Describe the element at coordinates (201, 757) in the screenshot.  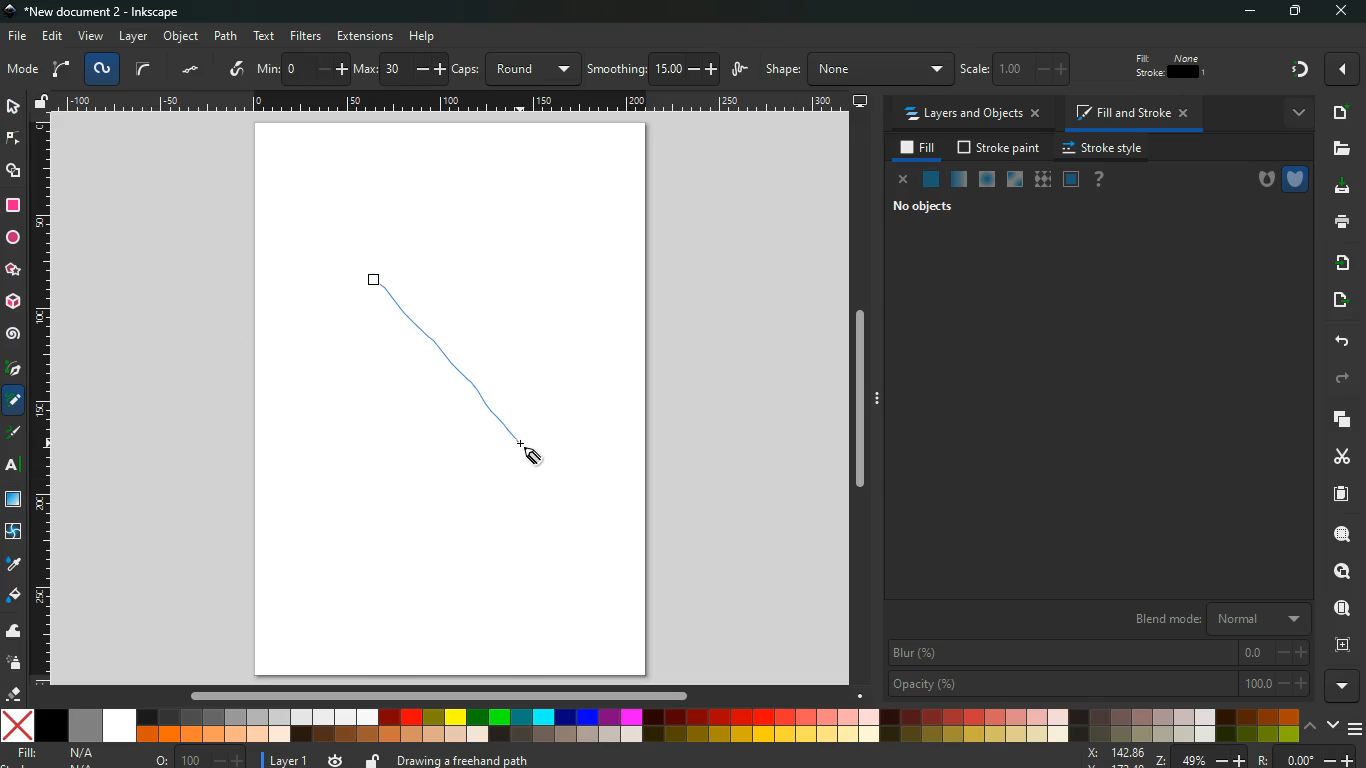
I see `o` at that location.